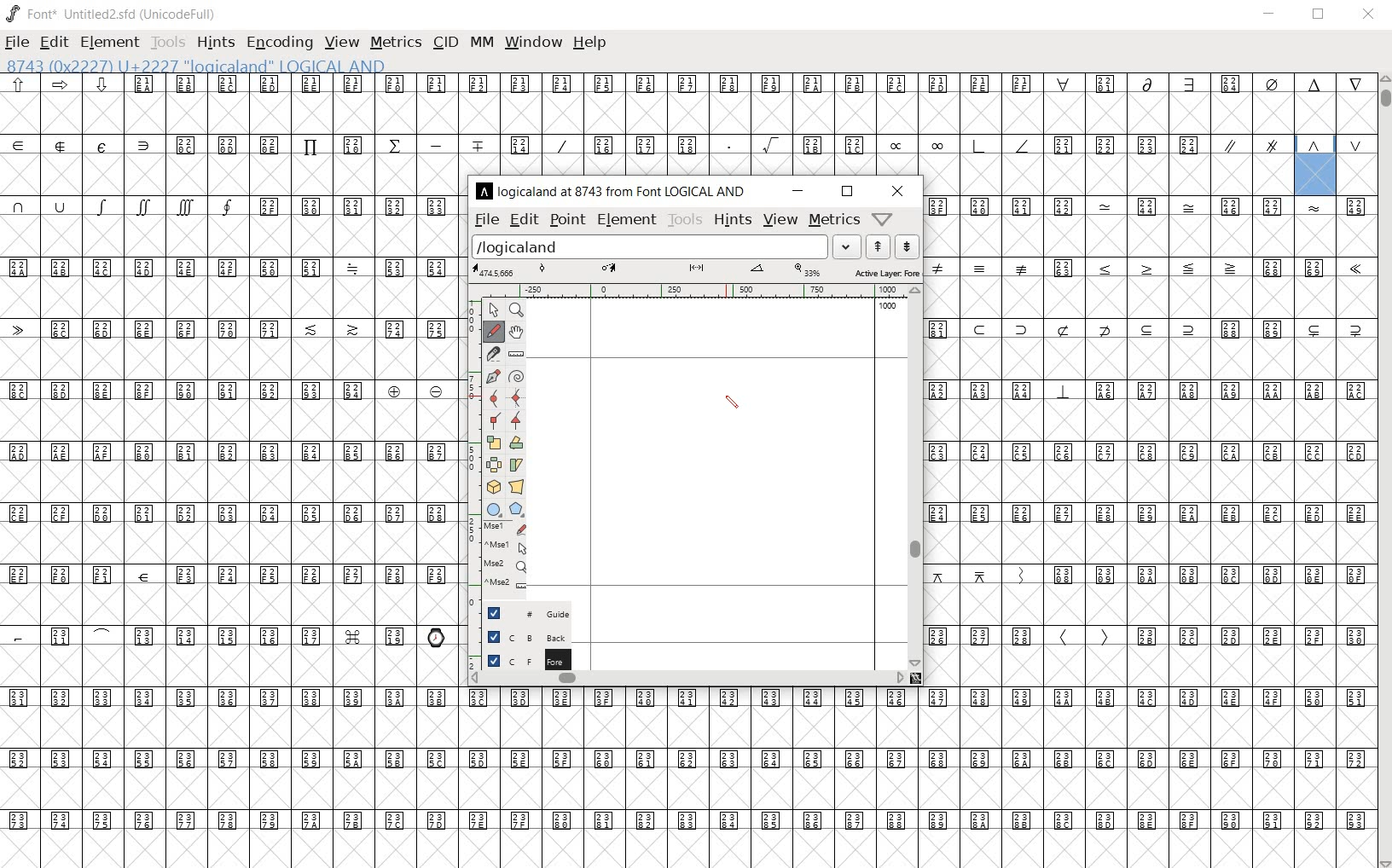 This screenshot has height=868, width=1392. What do you see at coordinates (1314, 174) in the screenshot?
I see `8743 (0x22227) U+2227 "logicaland" LOGICAL AND` at bounding box center [1314, 174].